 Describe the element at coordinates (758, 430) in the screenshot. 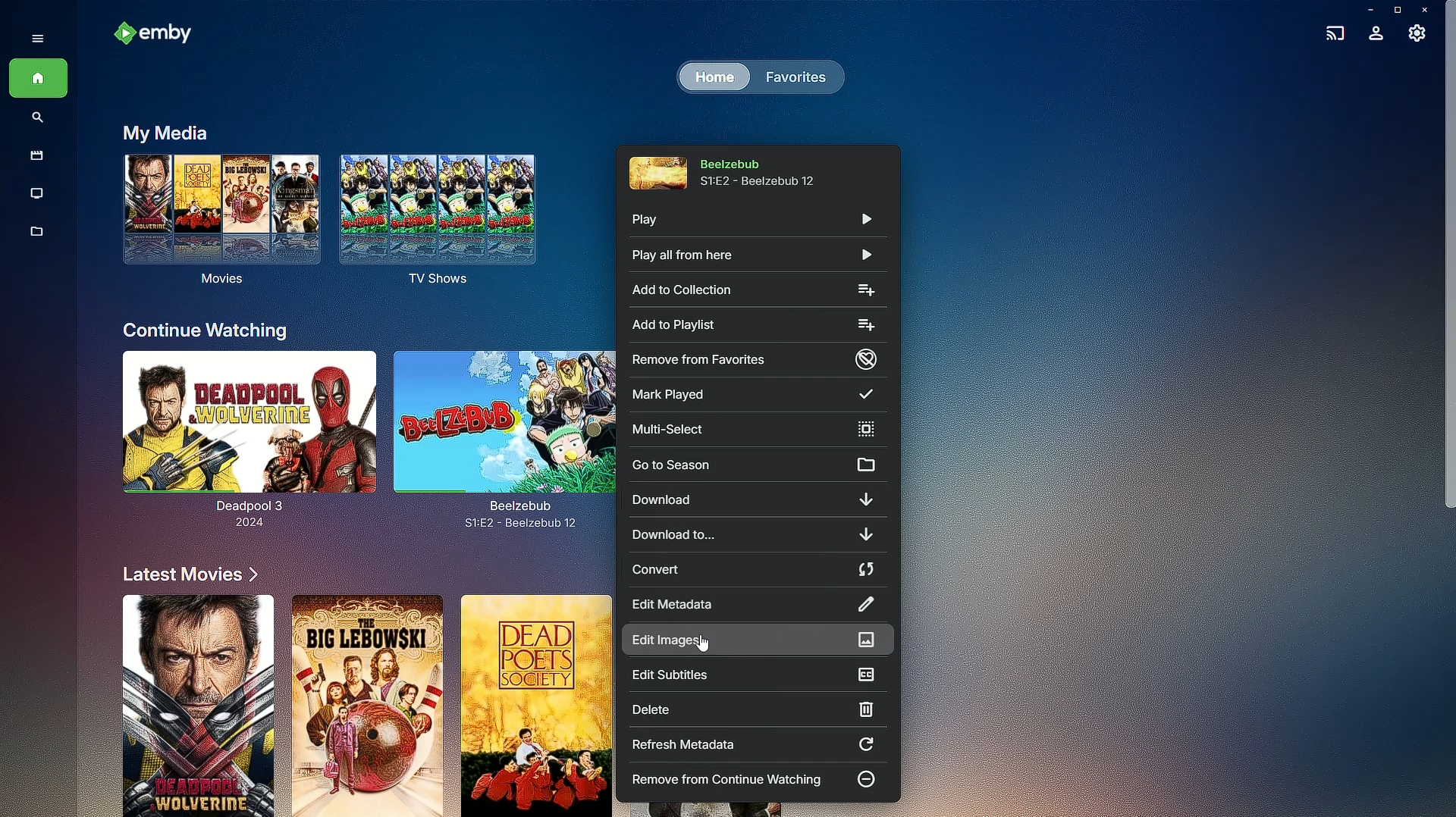

I see `Multi-select` at that location.